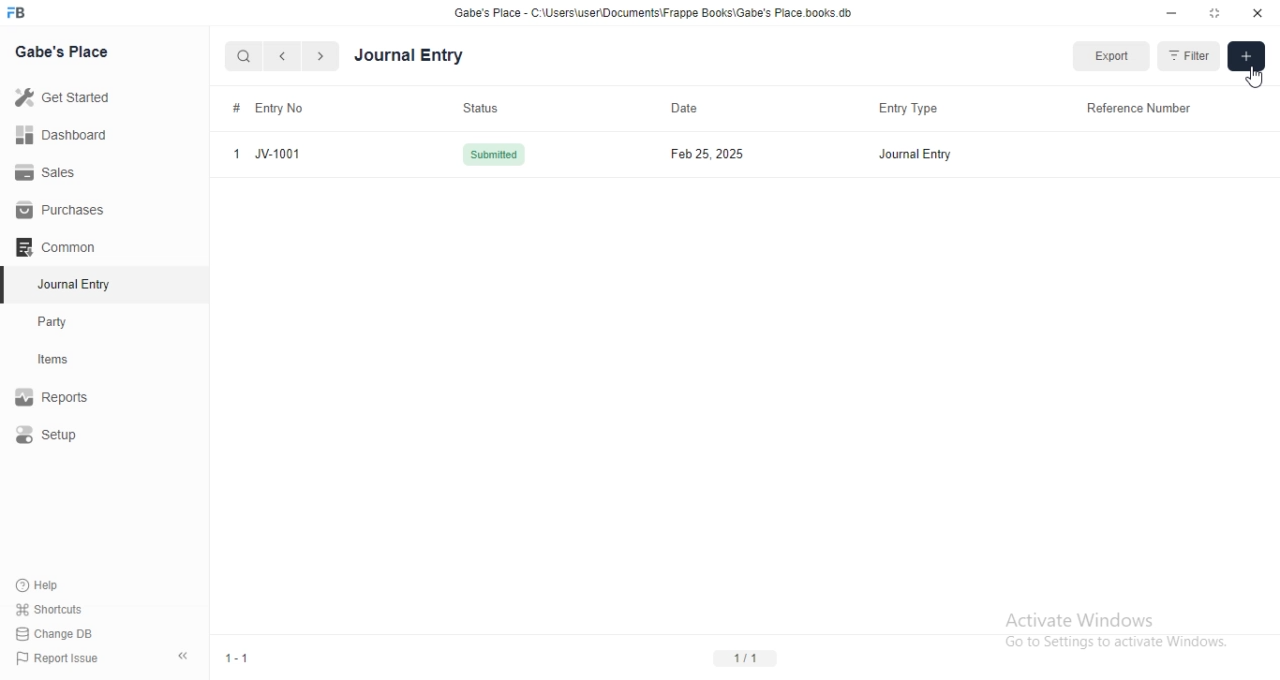 The height and width of the screenshot is (680, 1280). What do you see at coordinates (1254, 79) in the screenshot?
I see `cursor` at bounding box center [1254, 79].